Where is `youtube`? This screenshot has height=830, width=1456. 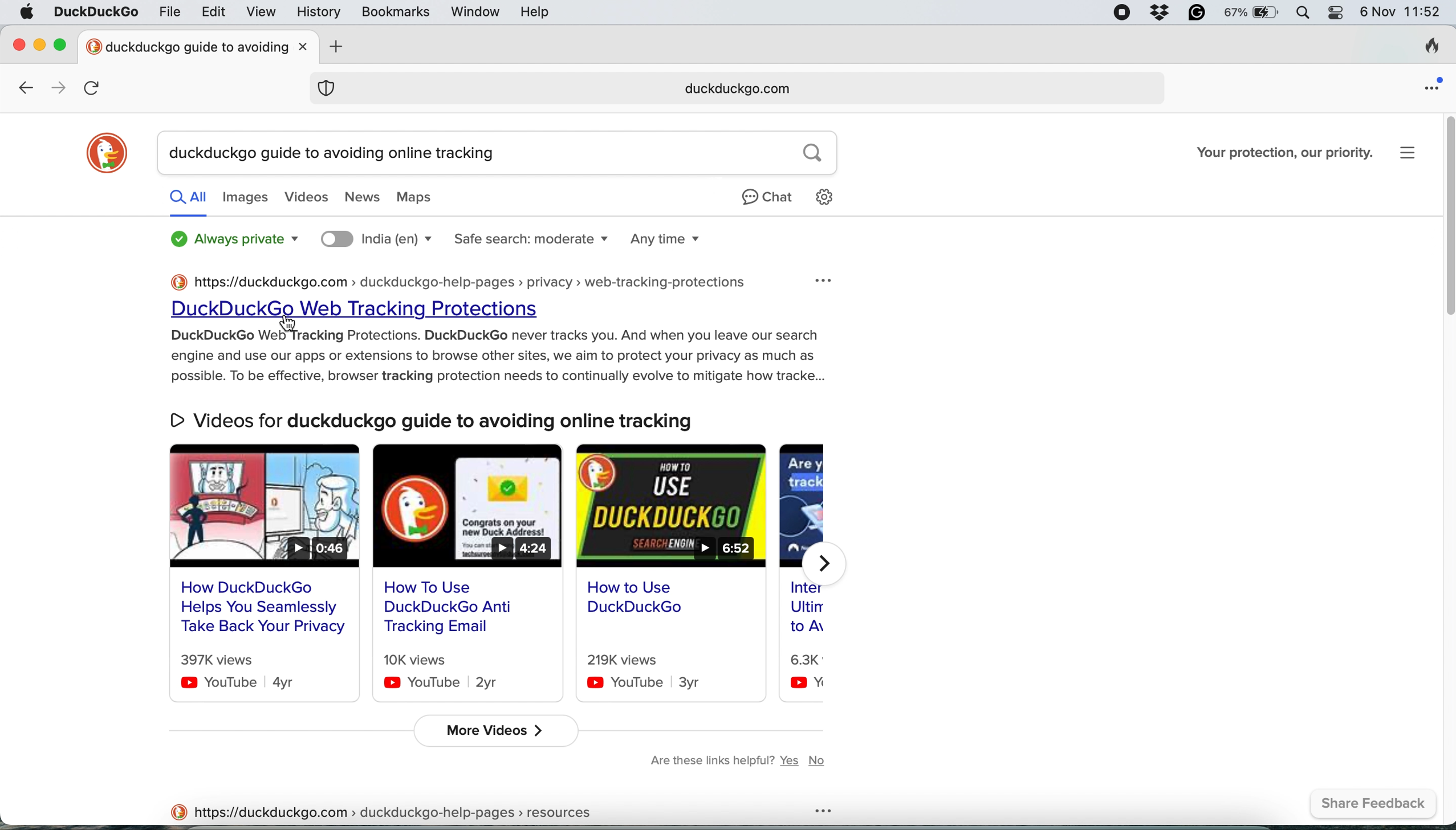
youtube is located at coordinates (821, 680).